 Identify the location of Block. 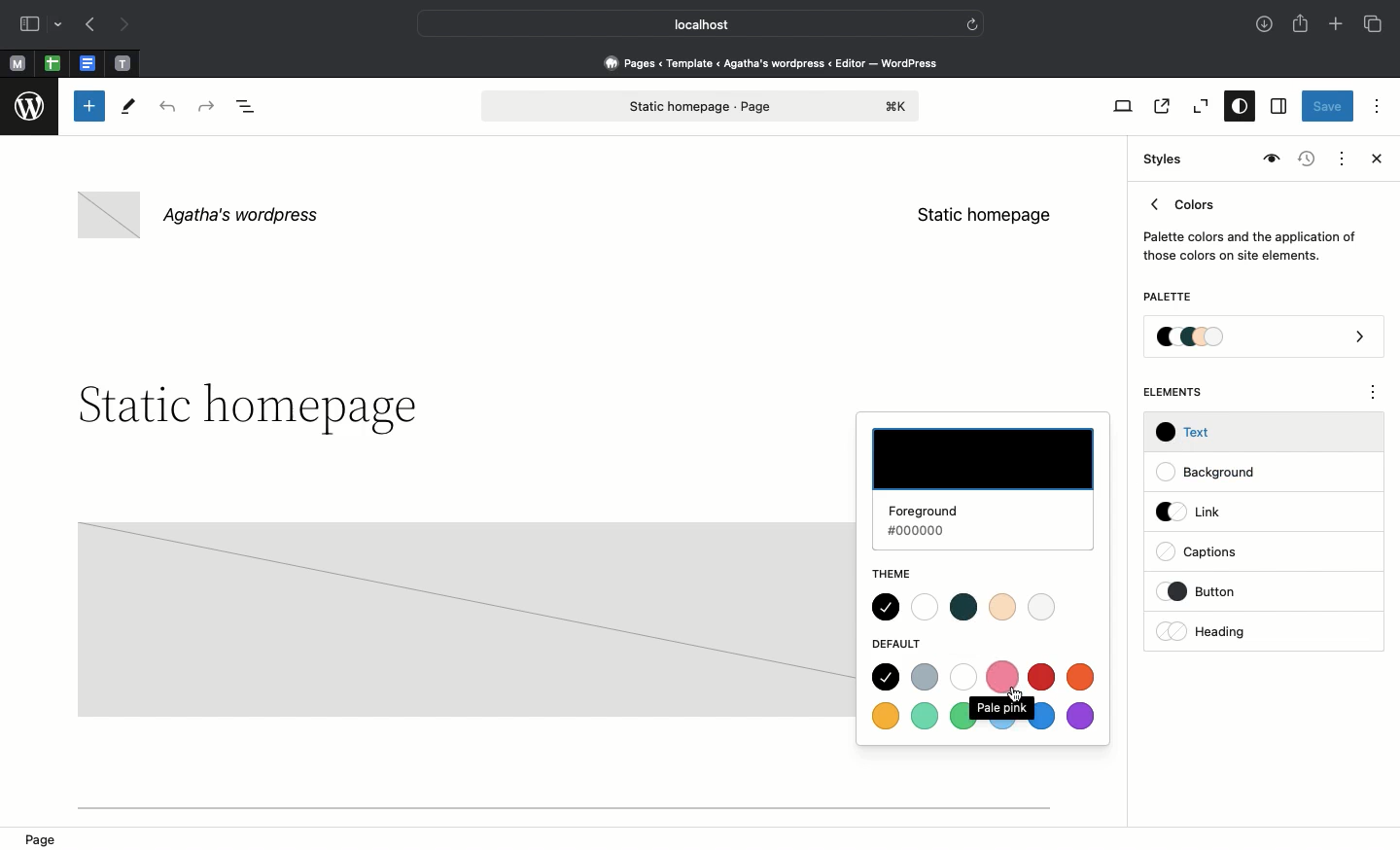
(464, 620).